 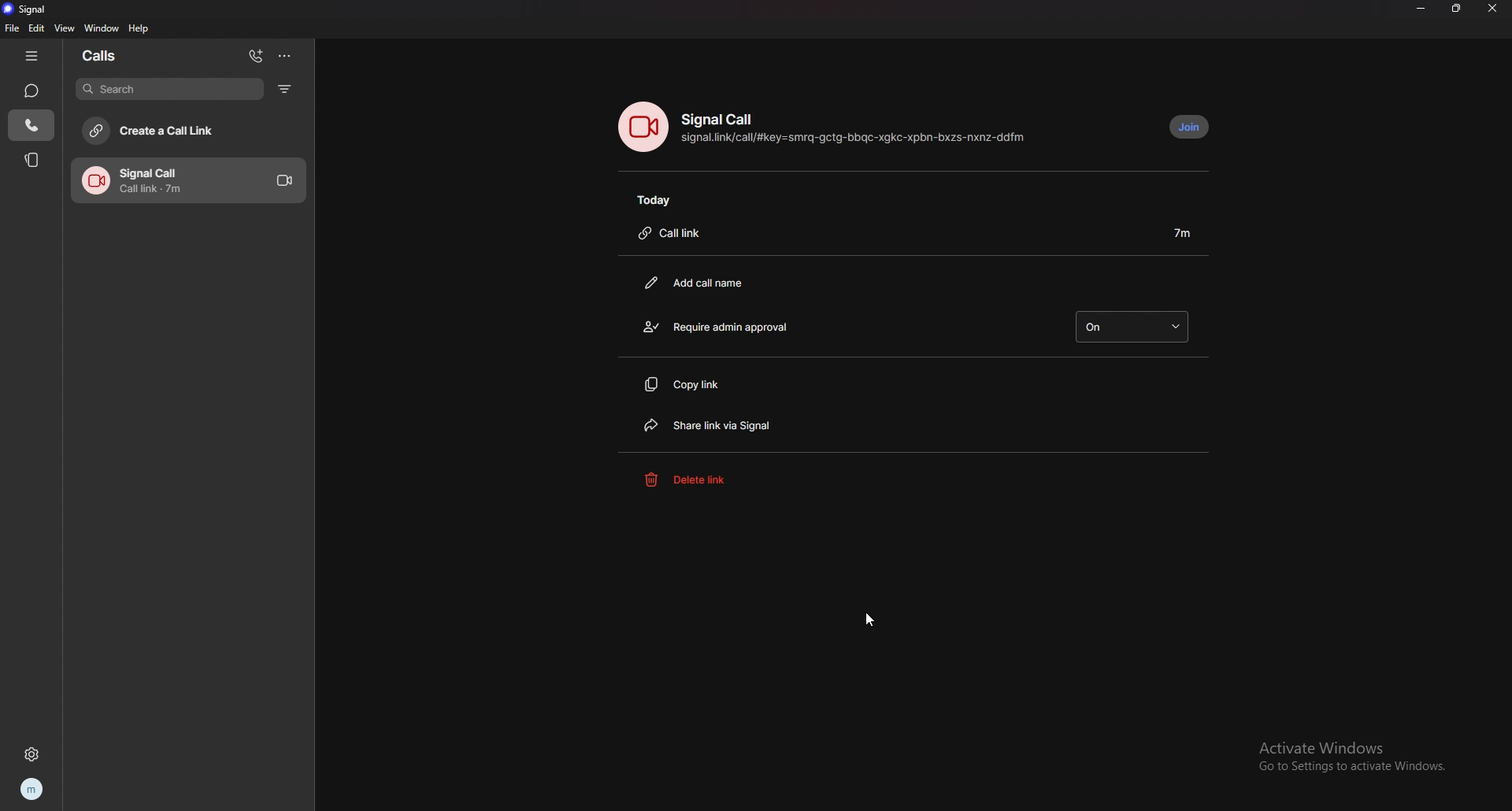 What do you see at coordinates (32, 91) in the screenshot?
I see `chats` at bounding box center [32, 91].